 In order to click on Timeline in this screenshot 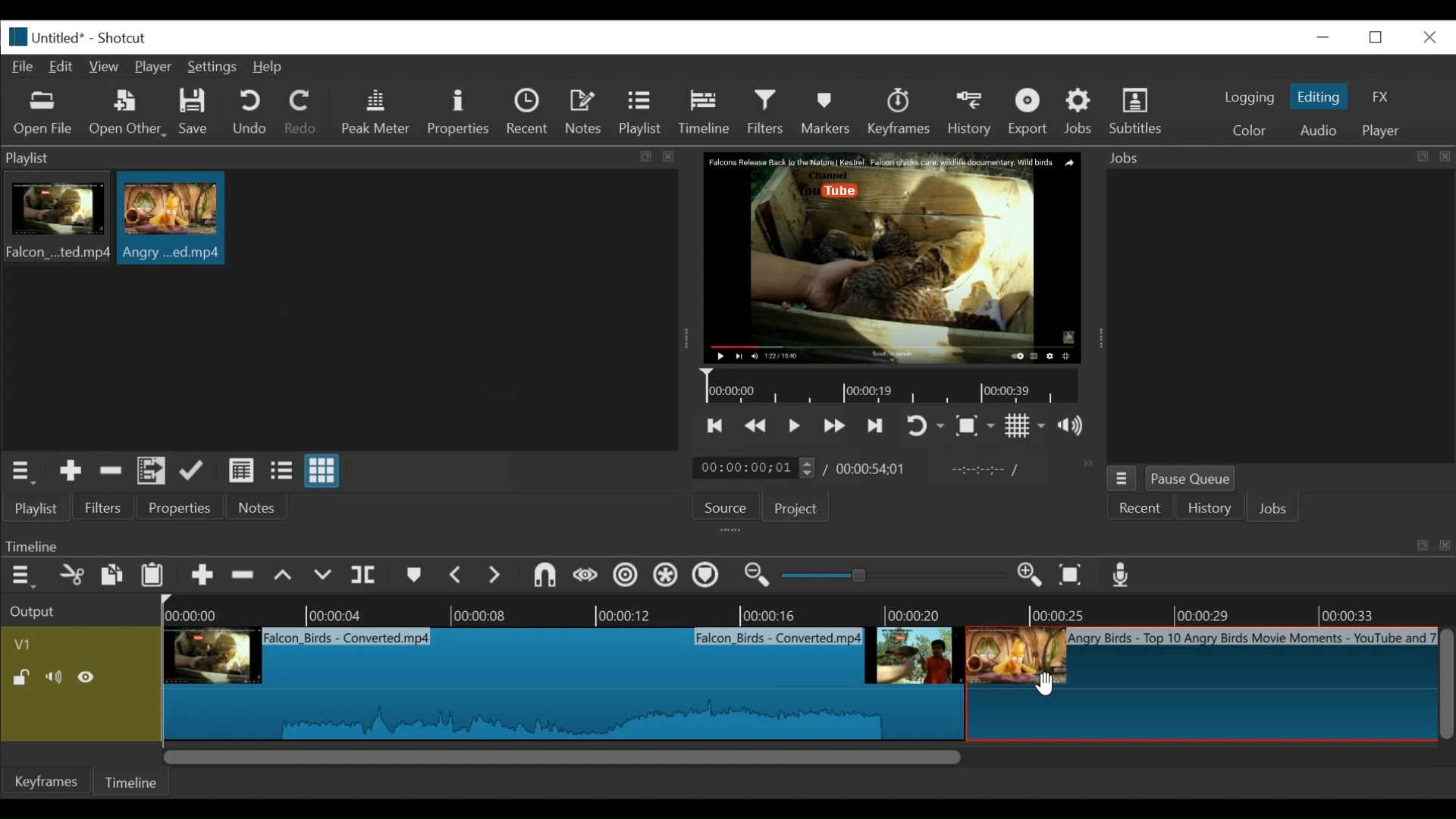, I will do `click(894, 387)`.